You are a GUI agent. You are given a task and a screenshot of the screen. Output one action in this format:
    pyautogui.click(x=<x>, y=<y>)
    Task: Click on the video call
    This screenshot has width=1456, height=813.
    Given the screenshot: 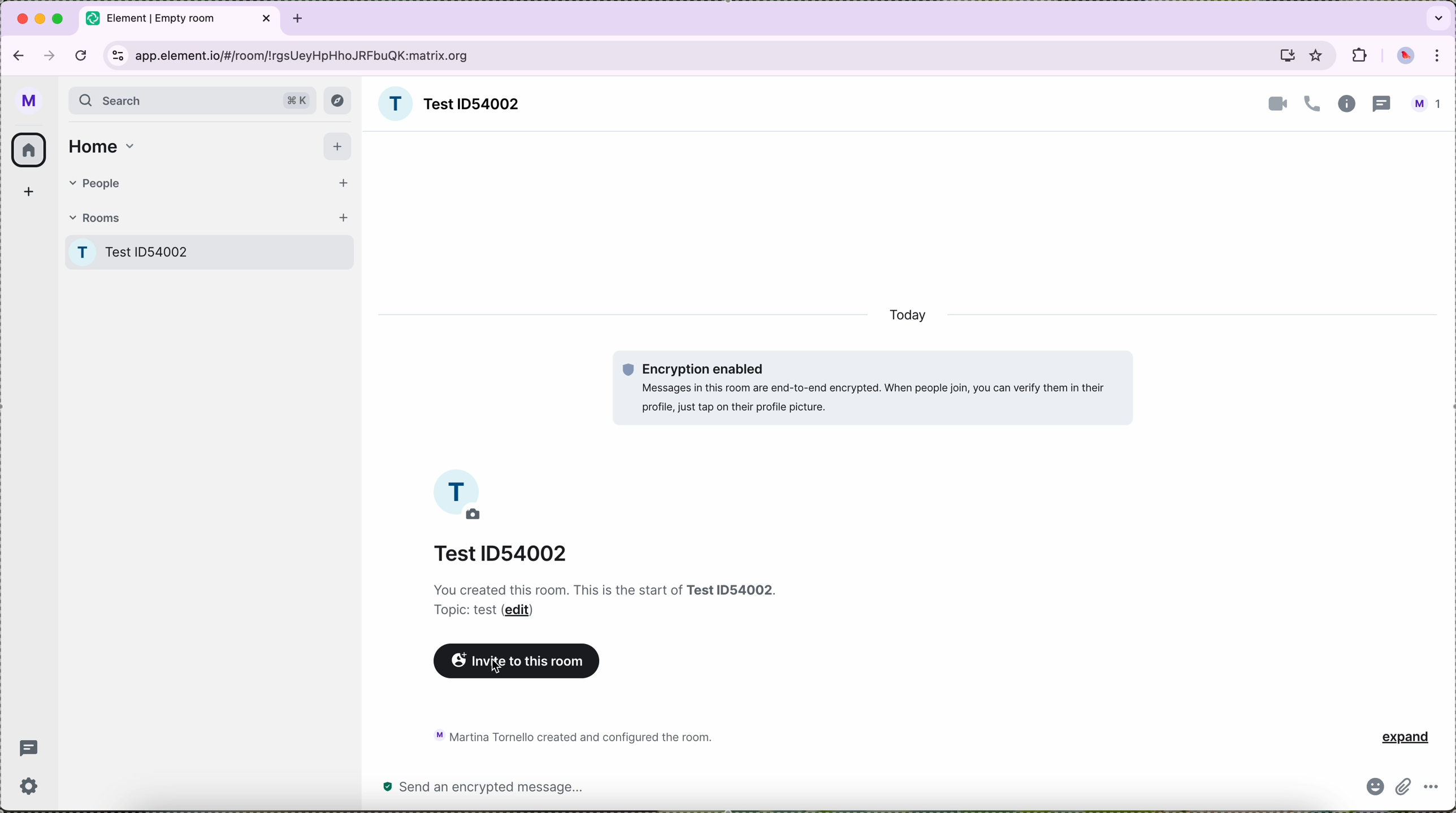 What is the action you would take?
    pyautogui.click(x=1275, y=103)
    